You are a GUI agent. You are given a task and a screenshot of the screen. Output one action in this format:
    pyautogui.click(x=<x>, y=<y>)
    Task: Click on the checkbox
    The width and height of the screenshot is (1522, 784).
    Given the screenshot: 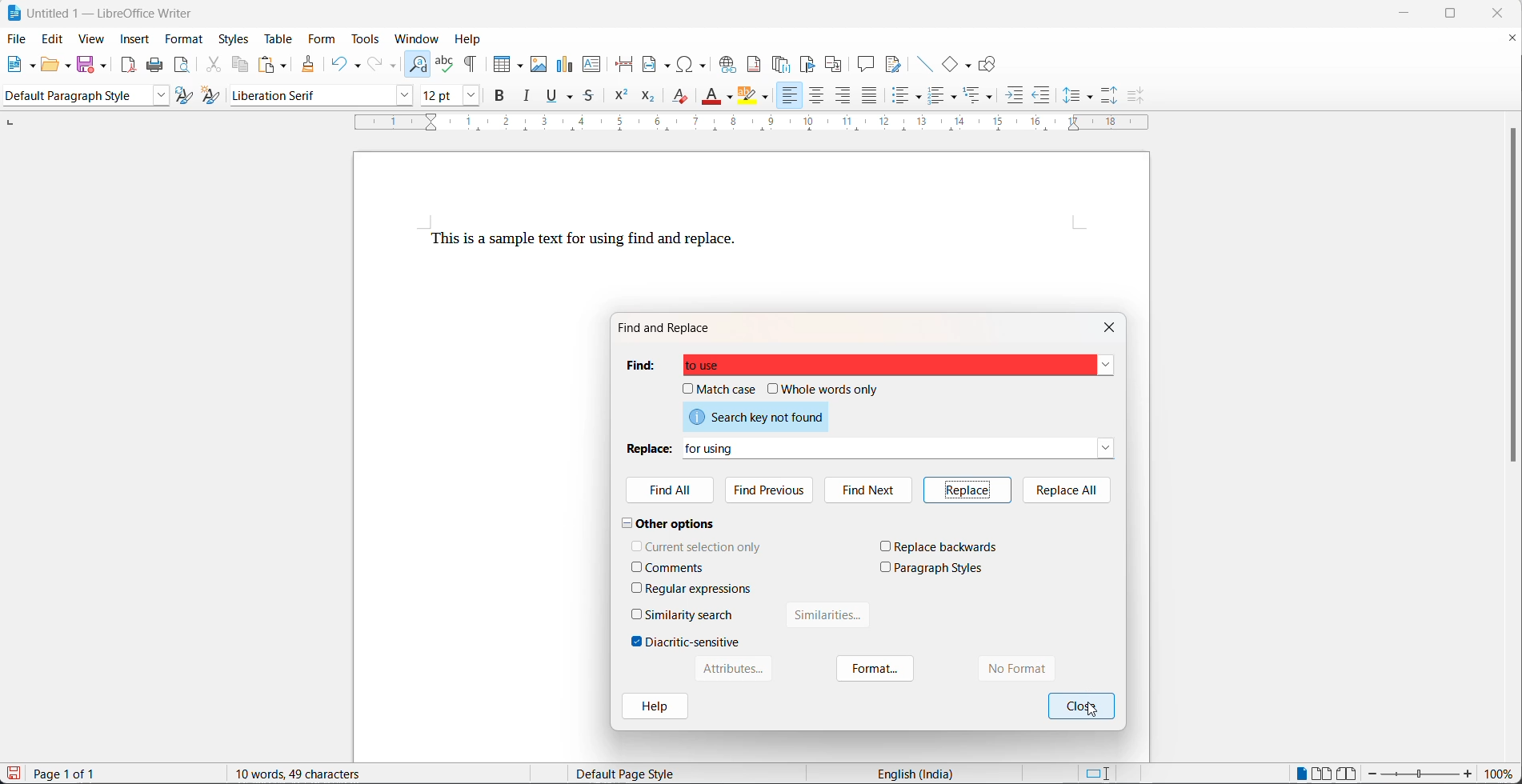 What is the action you would take?
    pyautogui.click(x=637, y=642)
    